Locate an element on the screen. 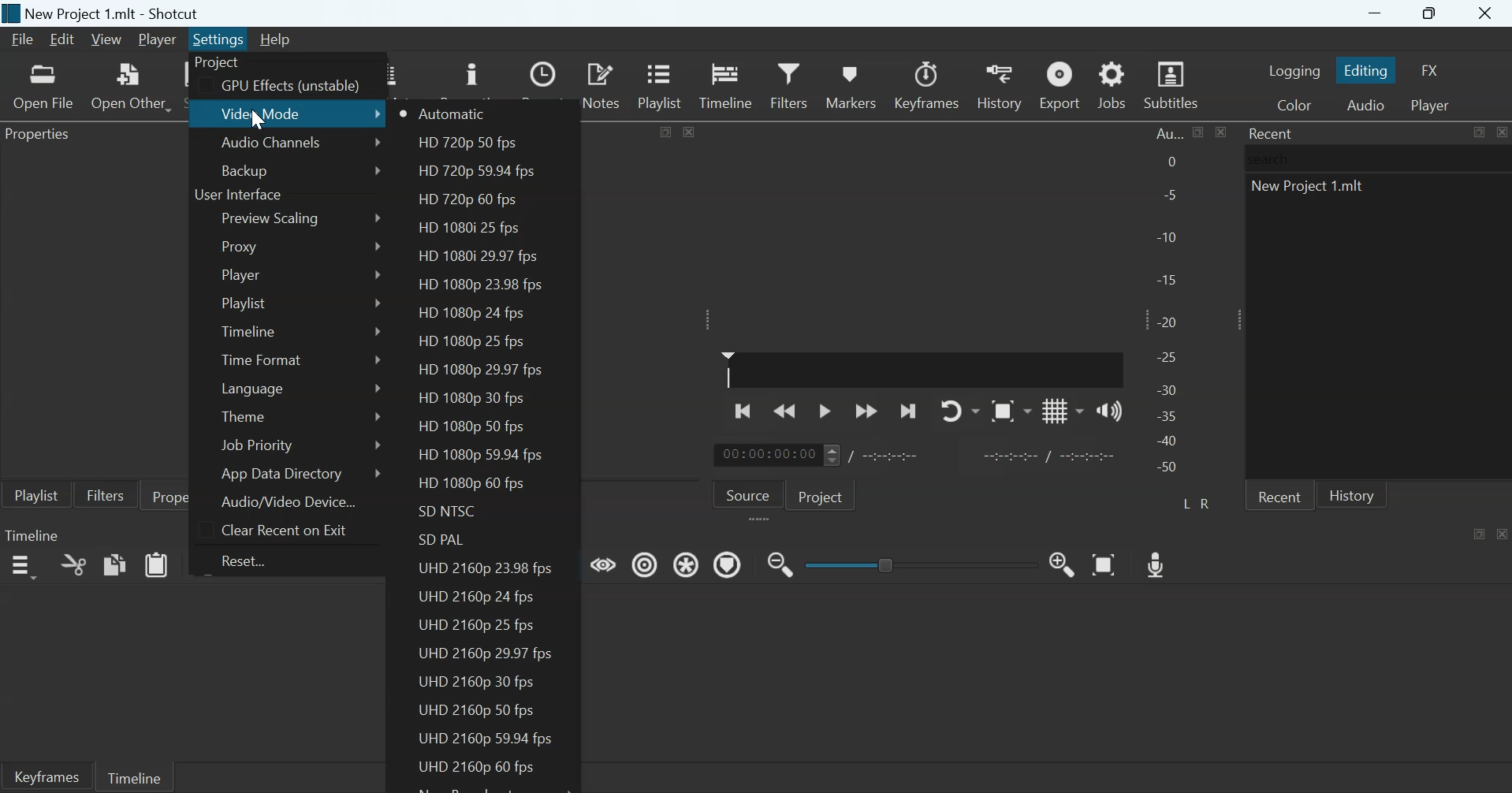 The image size is (1512, 793). Time format is located at coordinates (262, 359).